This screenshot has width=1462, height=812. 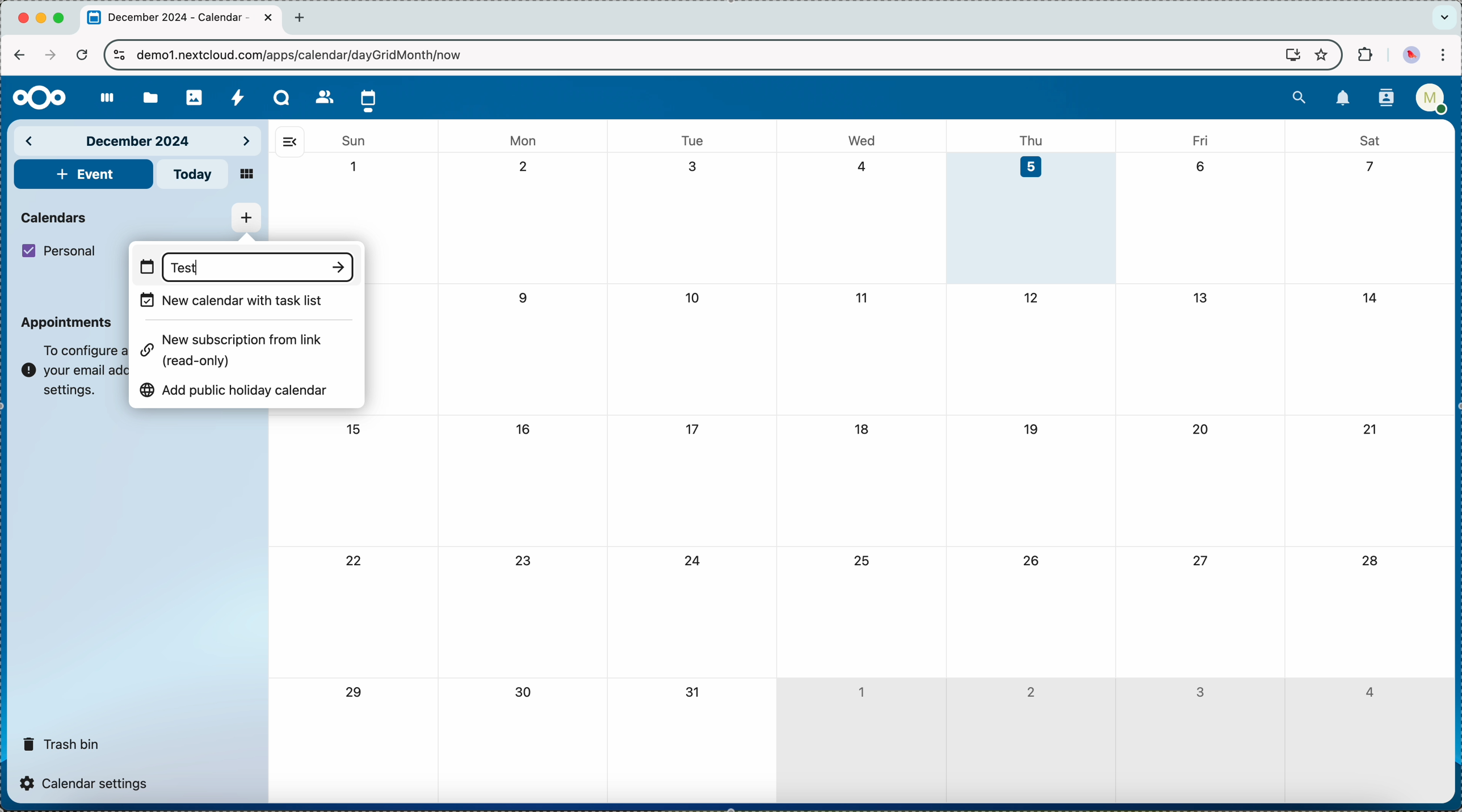 I want to click on thu, so click(x=1036, y=139).